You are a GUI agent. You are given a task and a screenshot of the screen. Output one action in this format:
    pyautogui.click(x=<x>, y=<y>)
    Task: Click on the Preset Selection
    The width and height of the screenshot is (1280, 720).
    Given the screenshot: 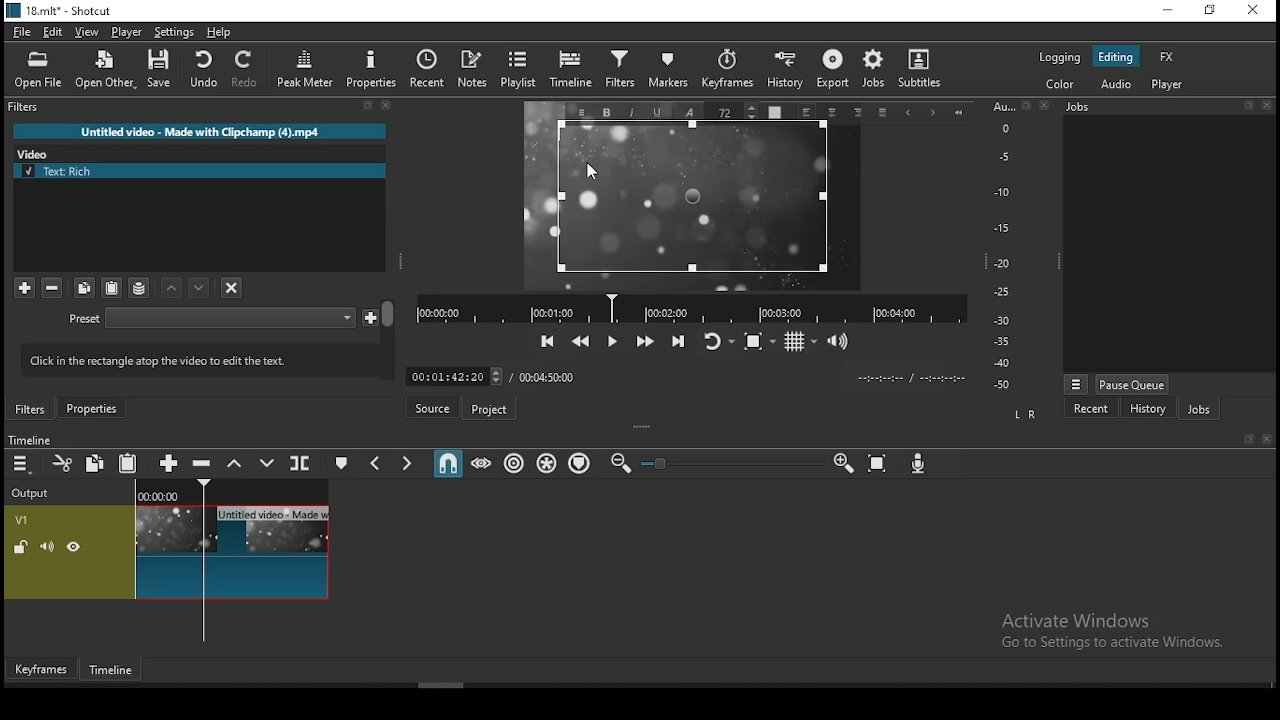 What is the action you would take?
    pyautogui.click(x=230, y=318)
    